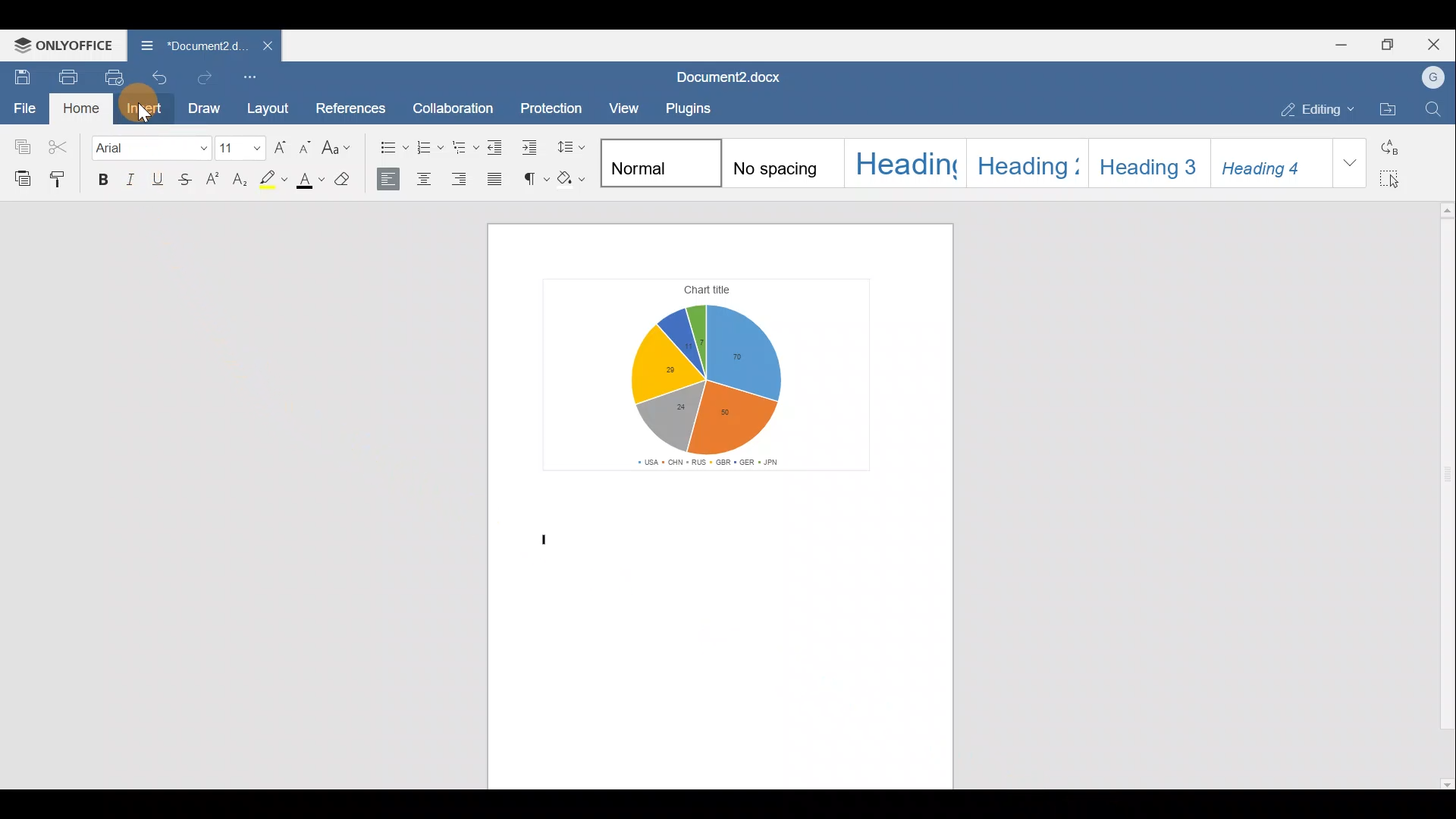 This screenshot has height=819, width=1456. Describe the element at coordinates (275, 180) in the screenshot. I see `Highlight color` at that location.